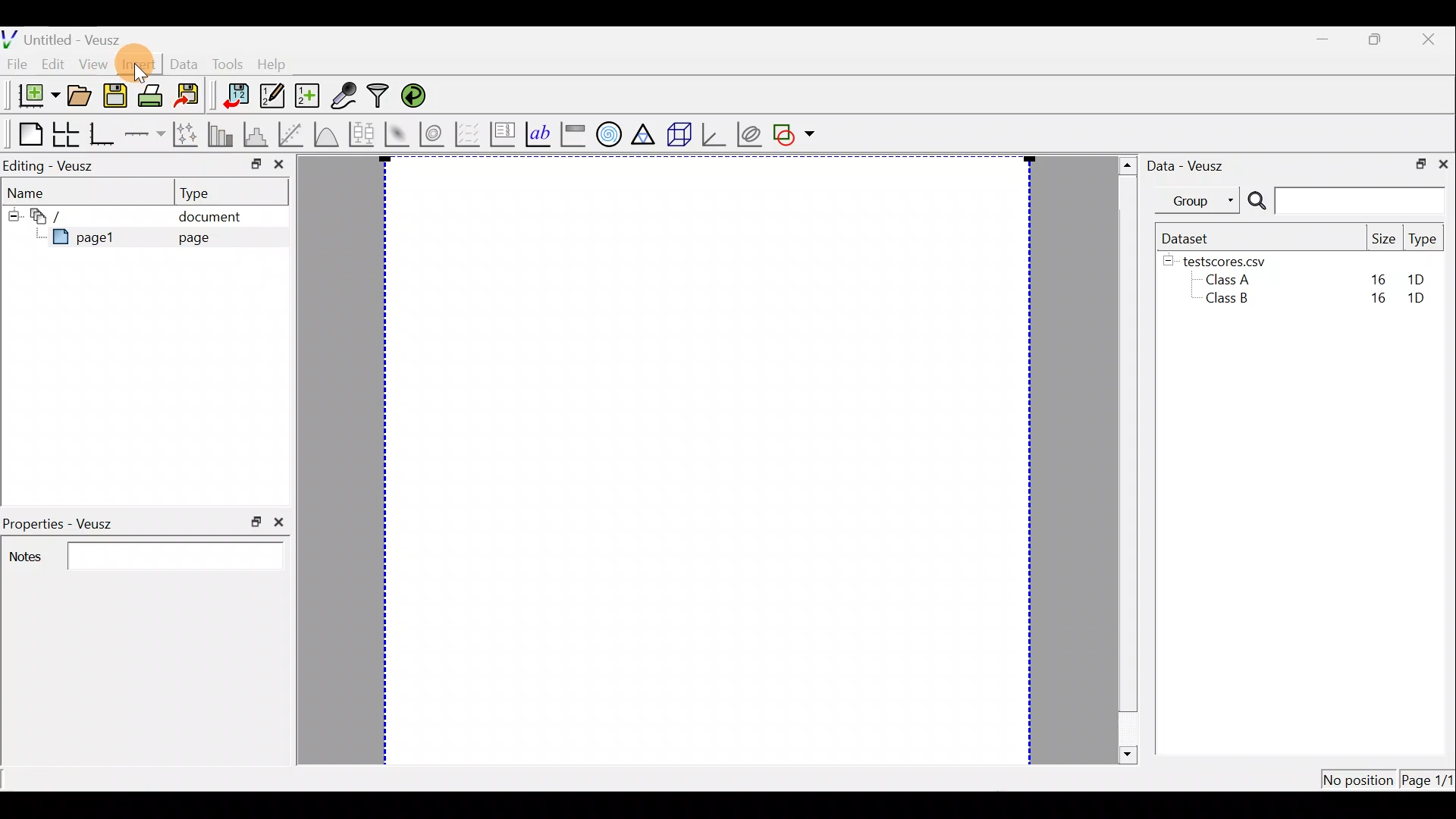 This screenshot has height=819, width=1456. What do you see at coordinates (232, 192) in the screenshot?
I see `Type` at bounding box center [232, 192].